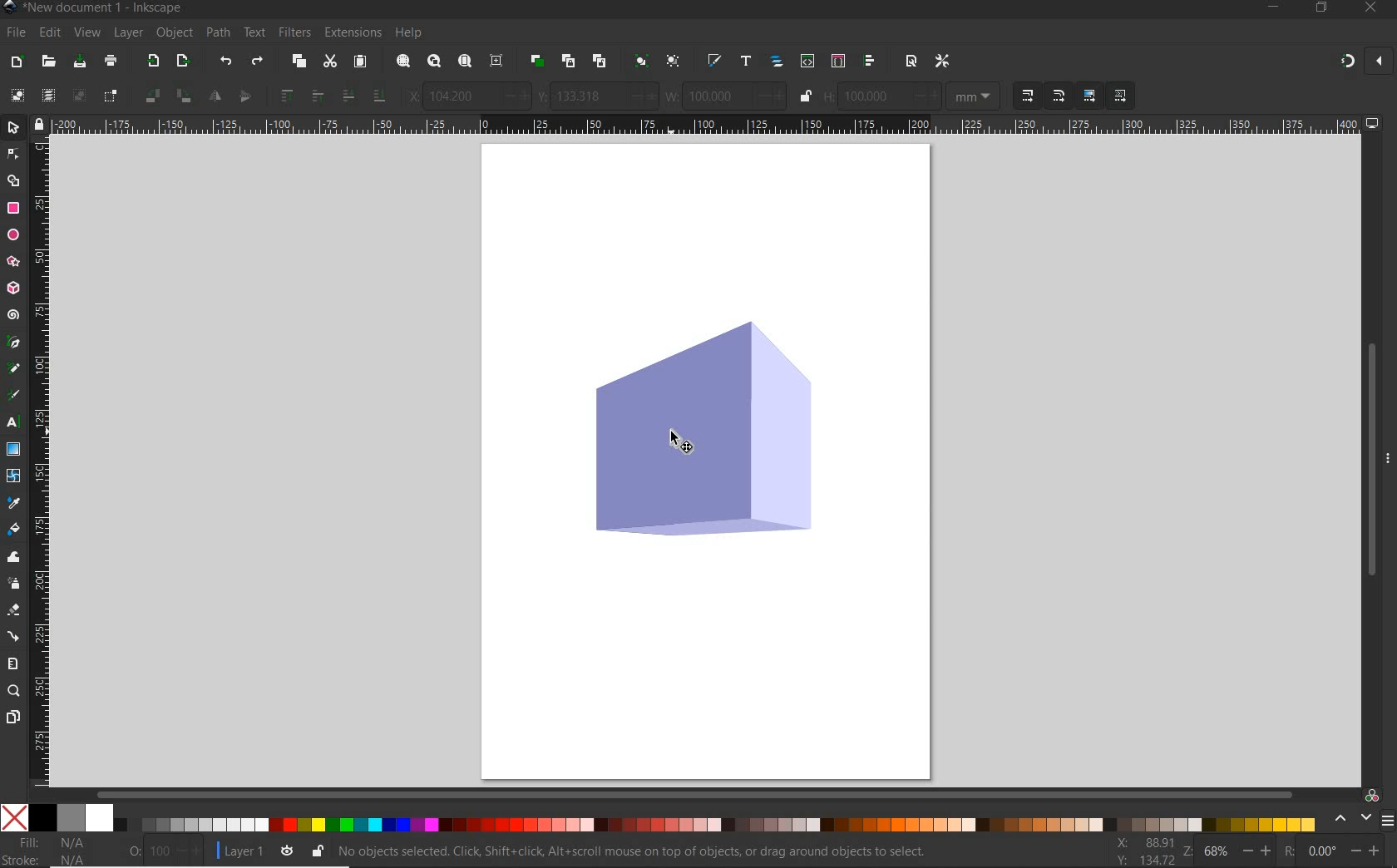 This screenshot has width=1397, height=868. Describe the element at coordinates (258, 63) in the screenshot. I see `REDO` at that location.